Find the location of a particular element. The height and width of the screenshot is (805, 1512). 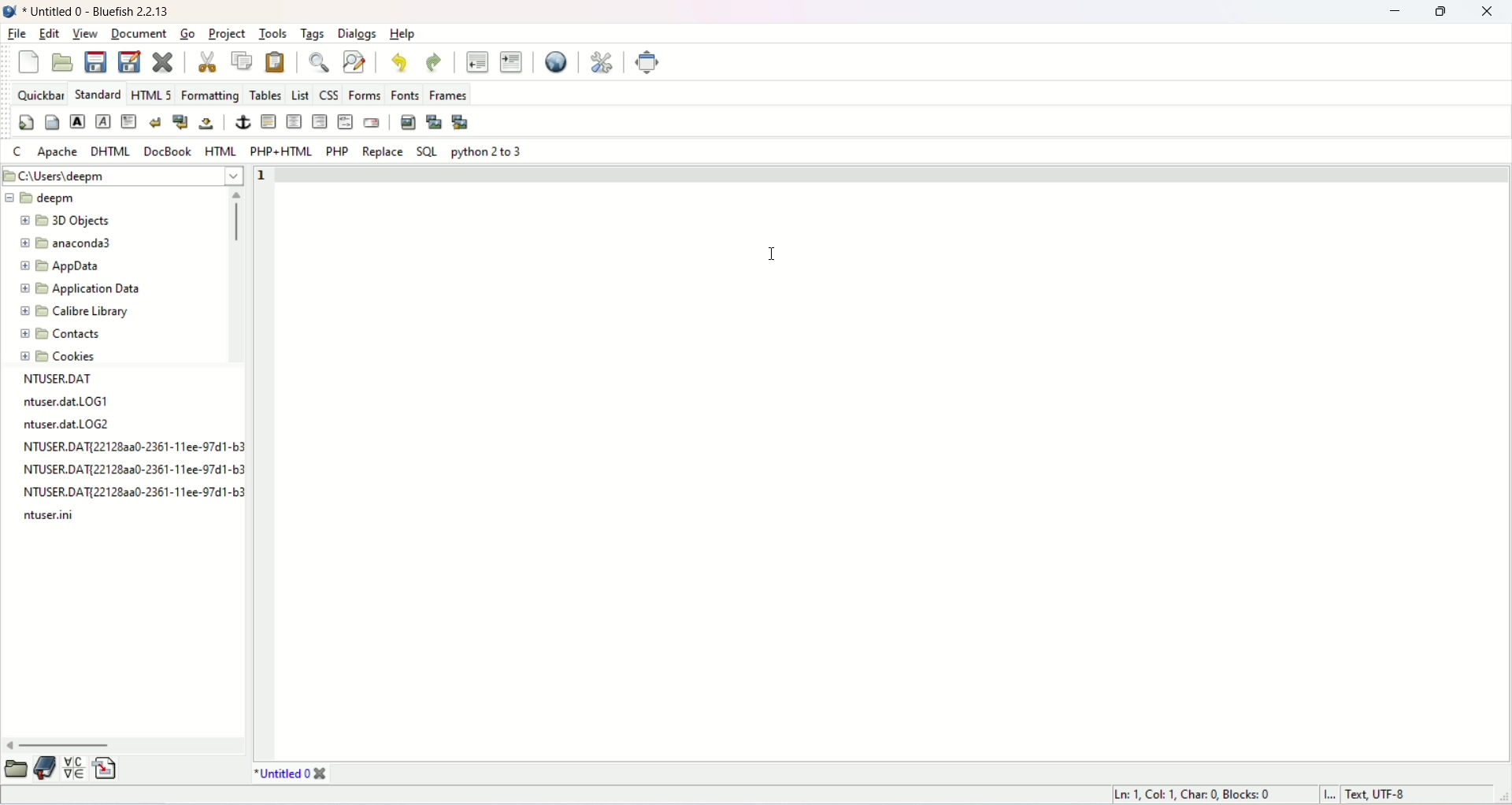

cut is located at coordinates (200, 64).